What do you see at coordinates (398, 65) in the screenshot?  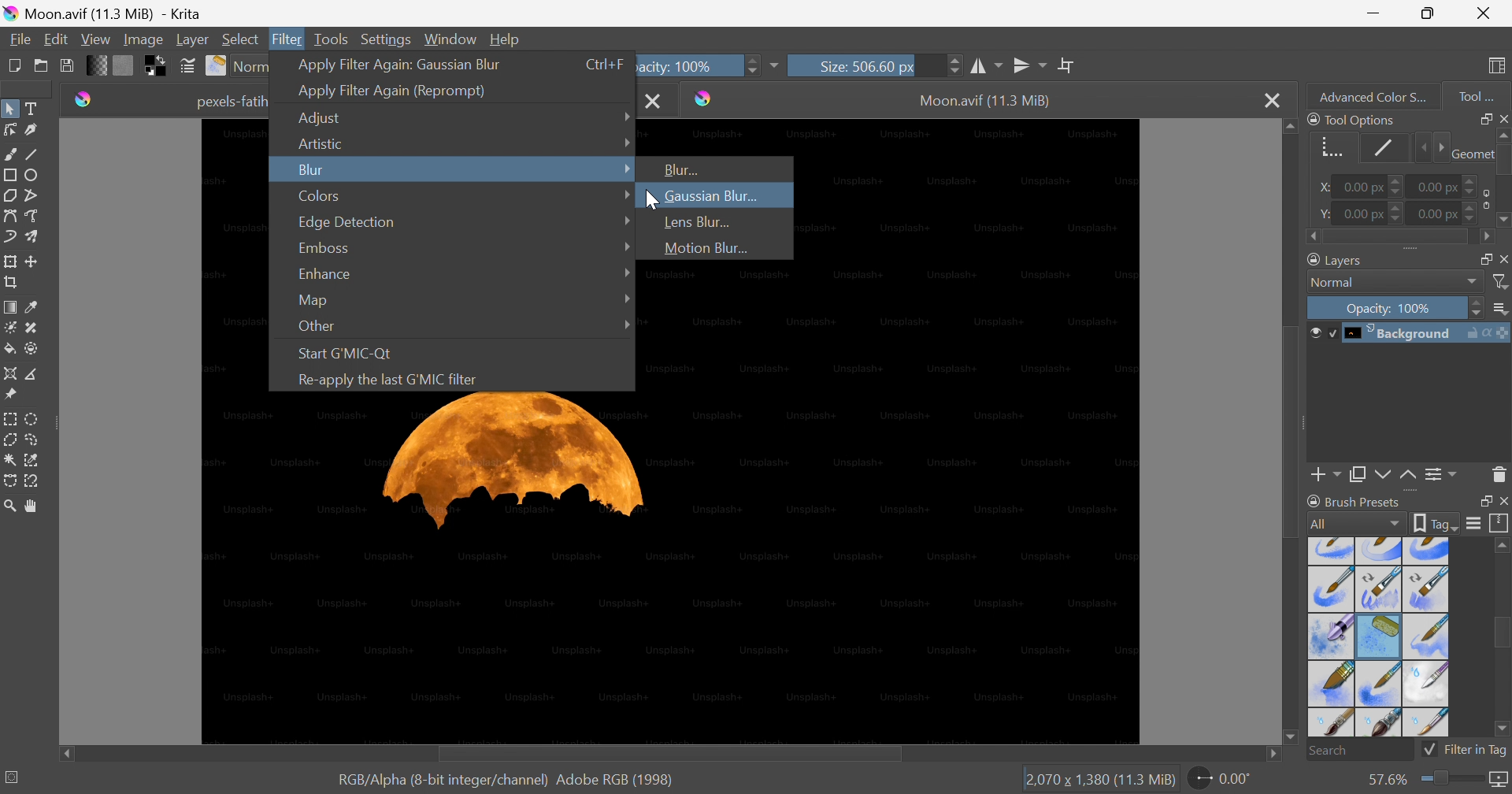 I see `Apply filter again: Gaussian Blur` at bounding box center [398, 65].